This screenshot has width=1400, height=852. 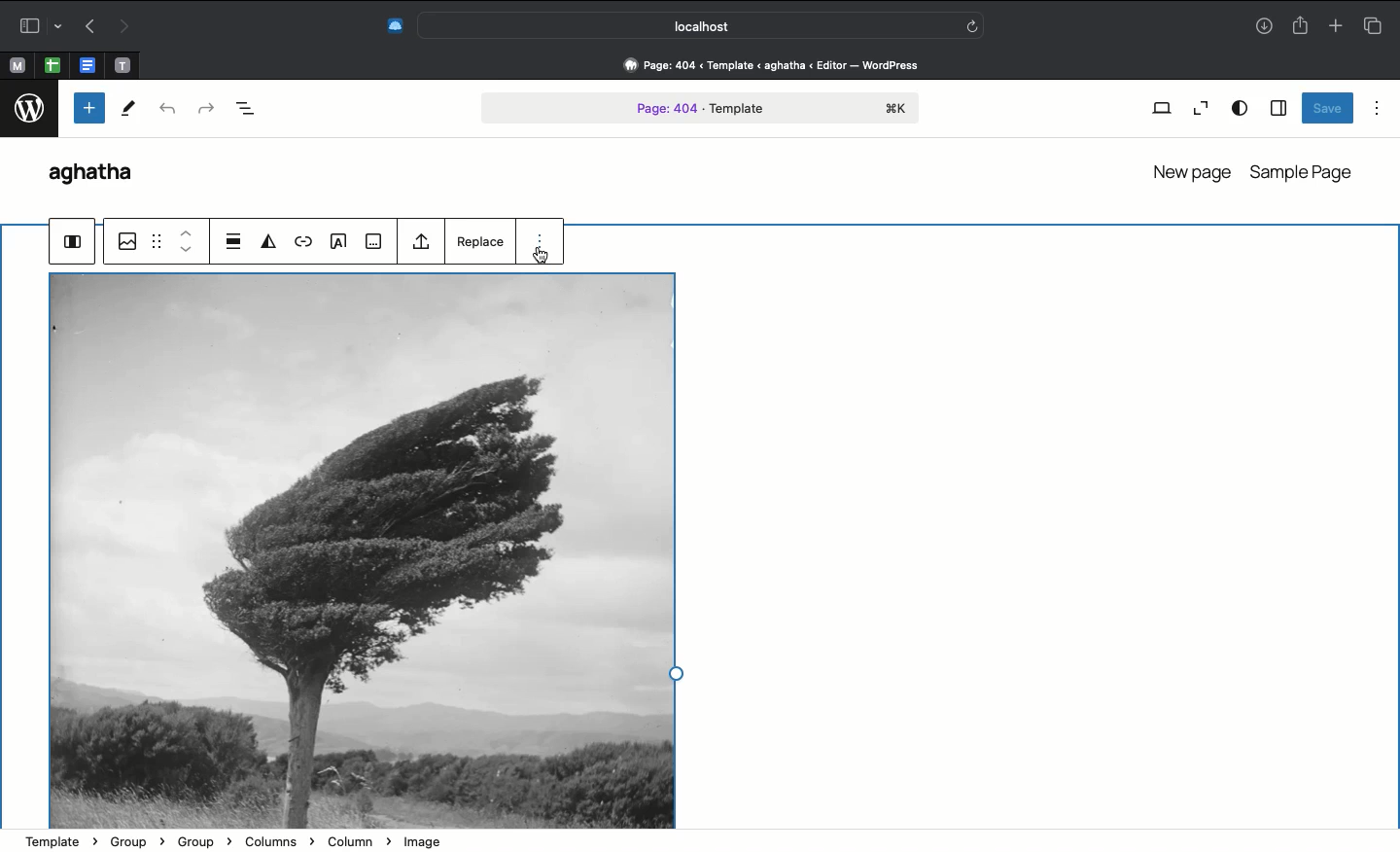 I want to click on Cursor, so click(x=541, y=255).